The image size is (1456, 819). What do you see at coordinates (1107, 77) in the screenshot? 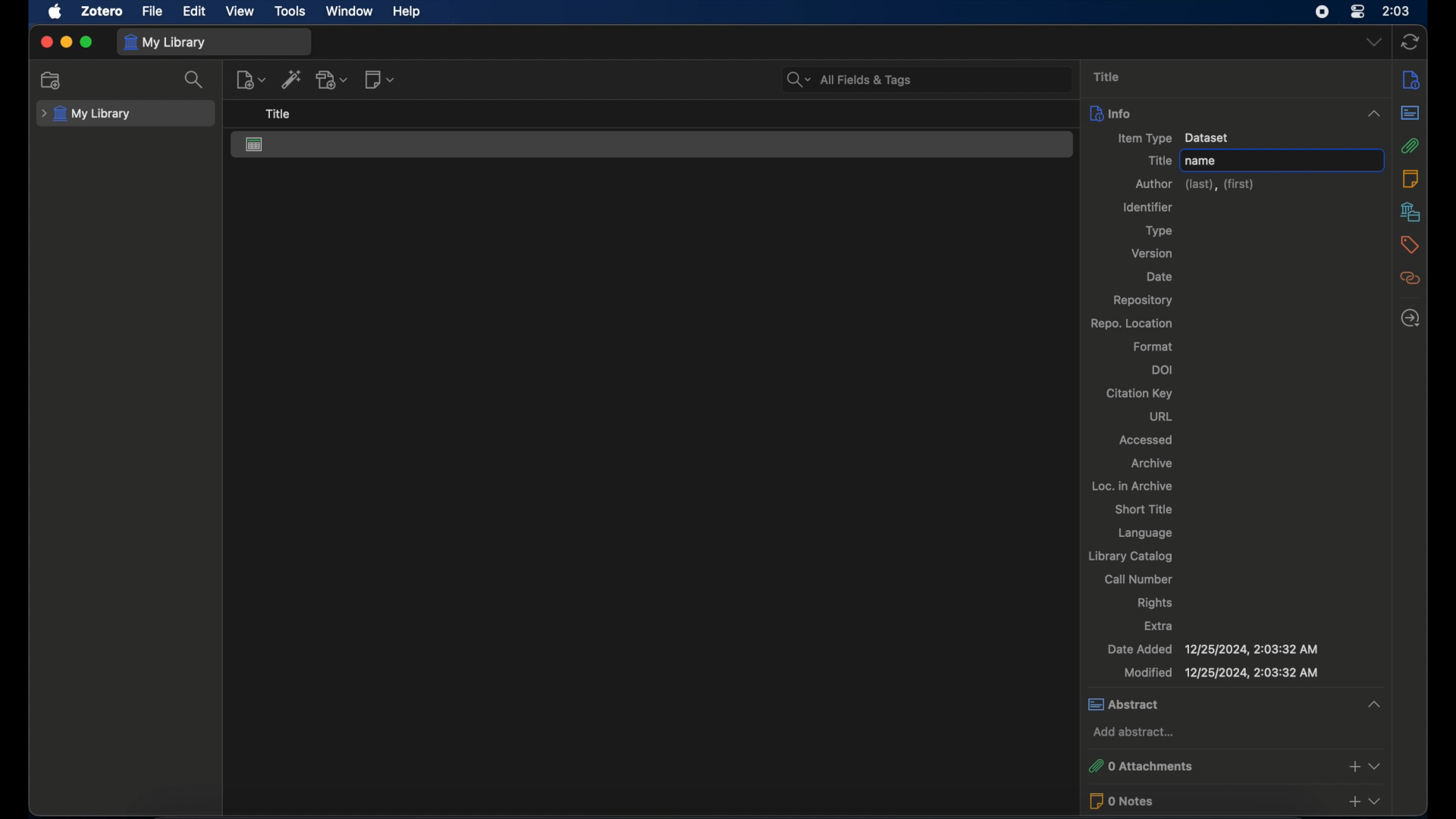
I see `title` at bounding box center [1107, 77].